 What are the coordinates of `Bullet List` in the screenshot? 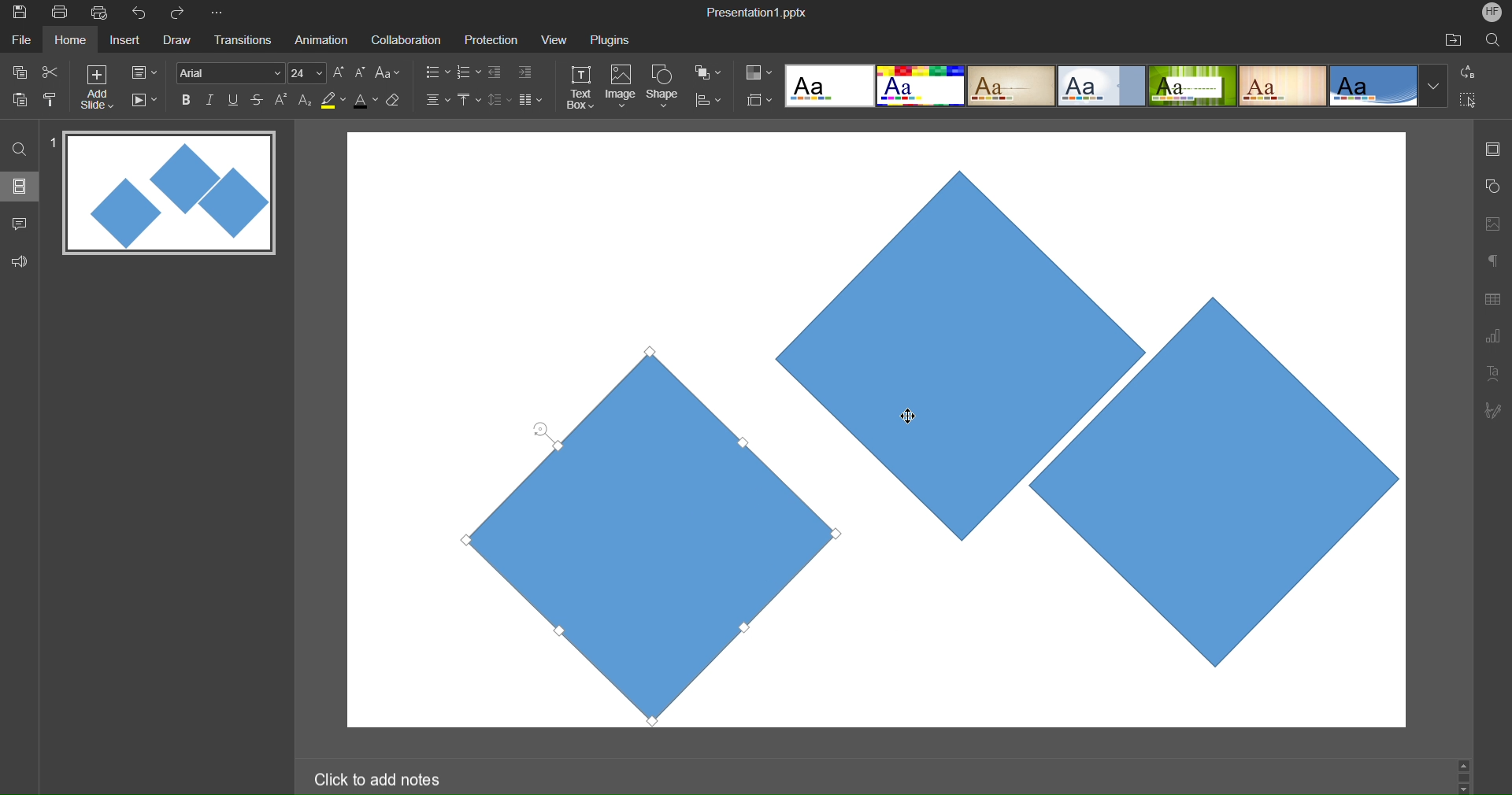 It's located at (436, 73).